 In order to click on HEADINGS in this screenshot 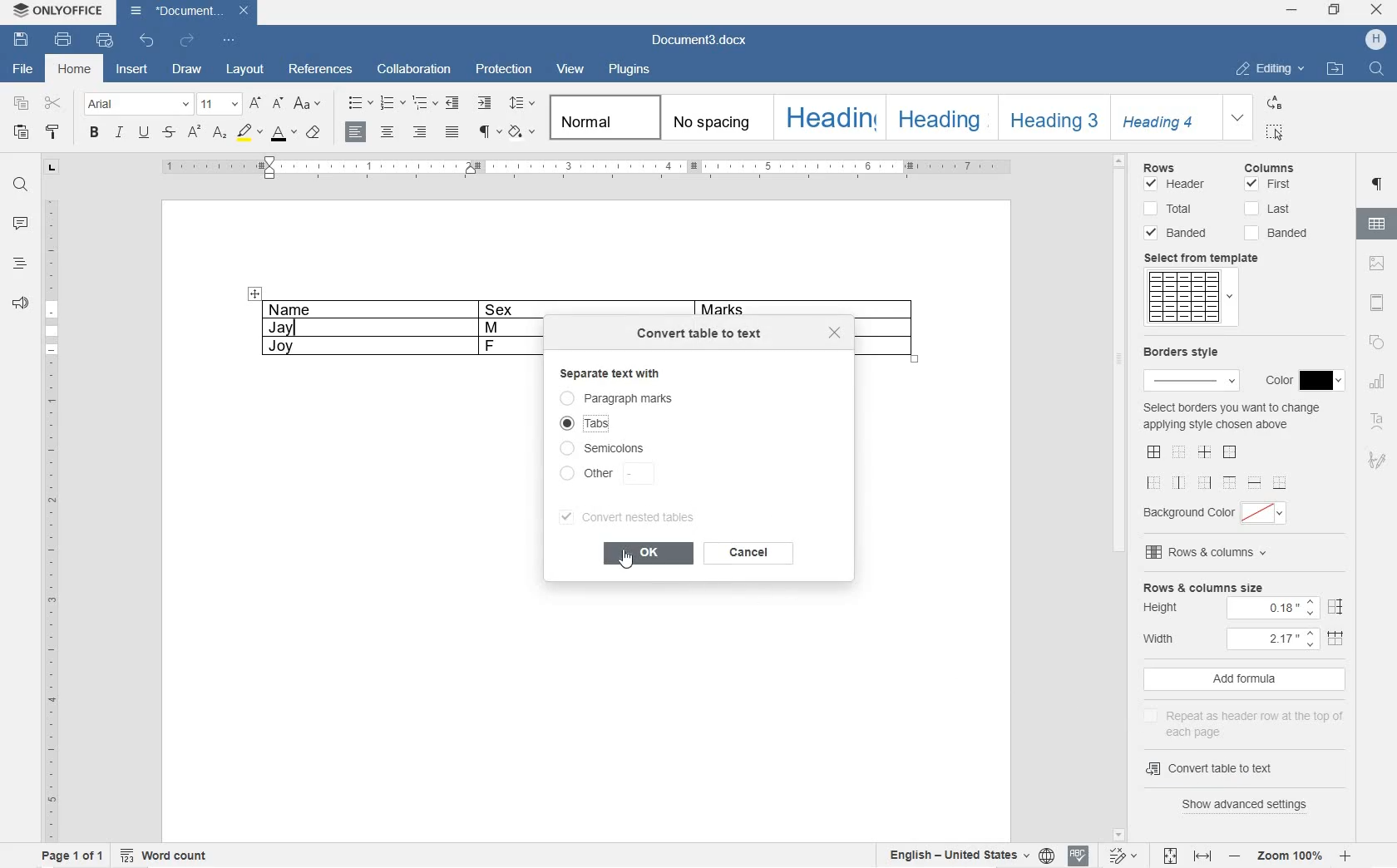, I will do `click(18, 263)`.